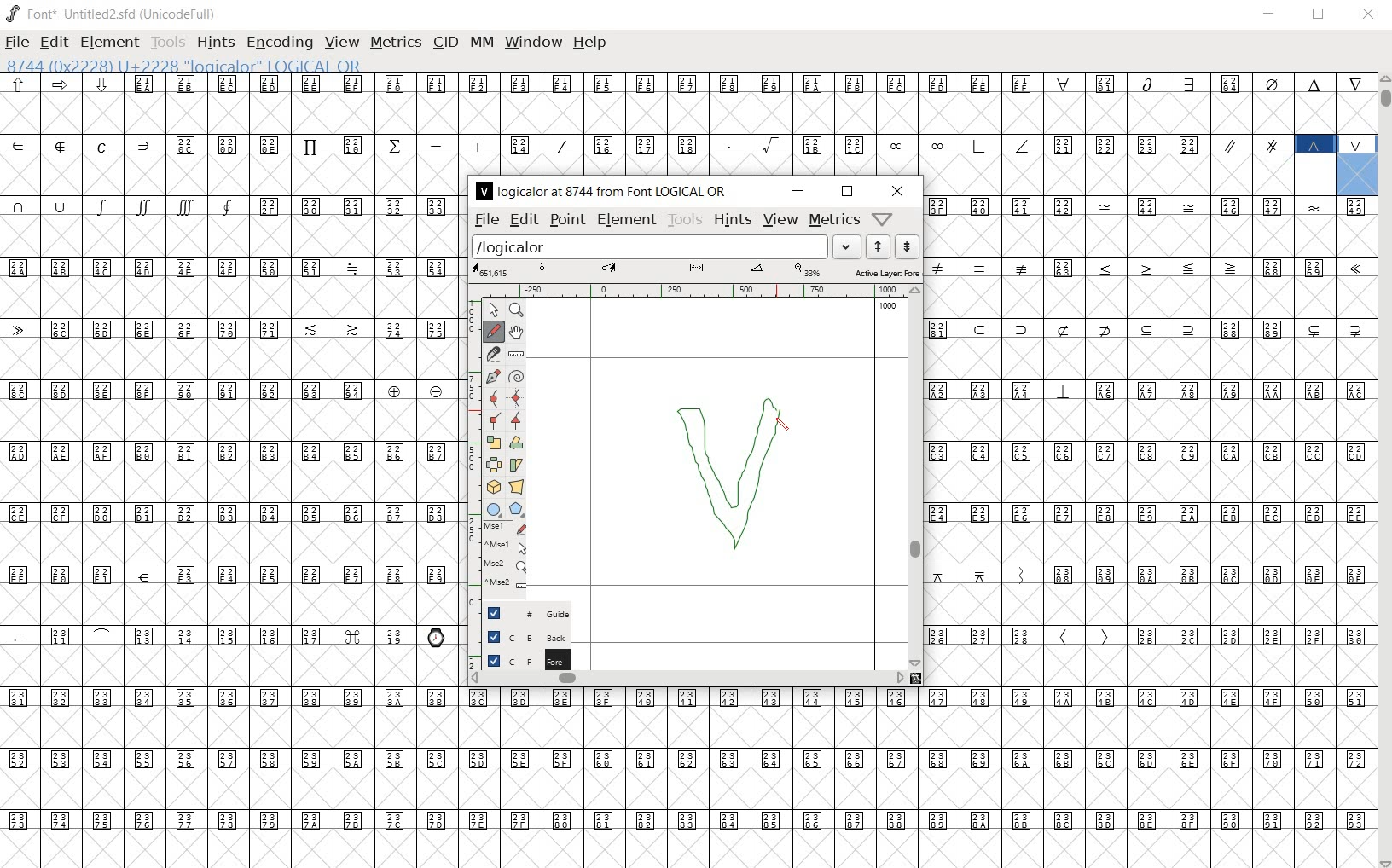 This screenshot has height=868, width=1392. I want to click on rotate the selection in 3D and project back to plane, so click(491, 488).